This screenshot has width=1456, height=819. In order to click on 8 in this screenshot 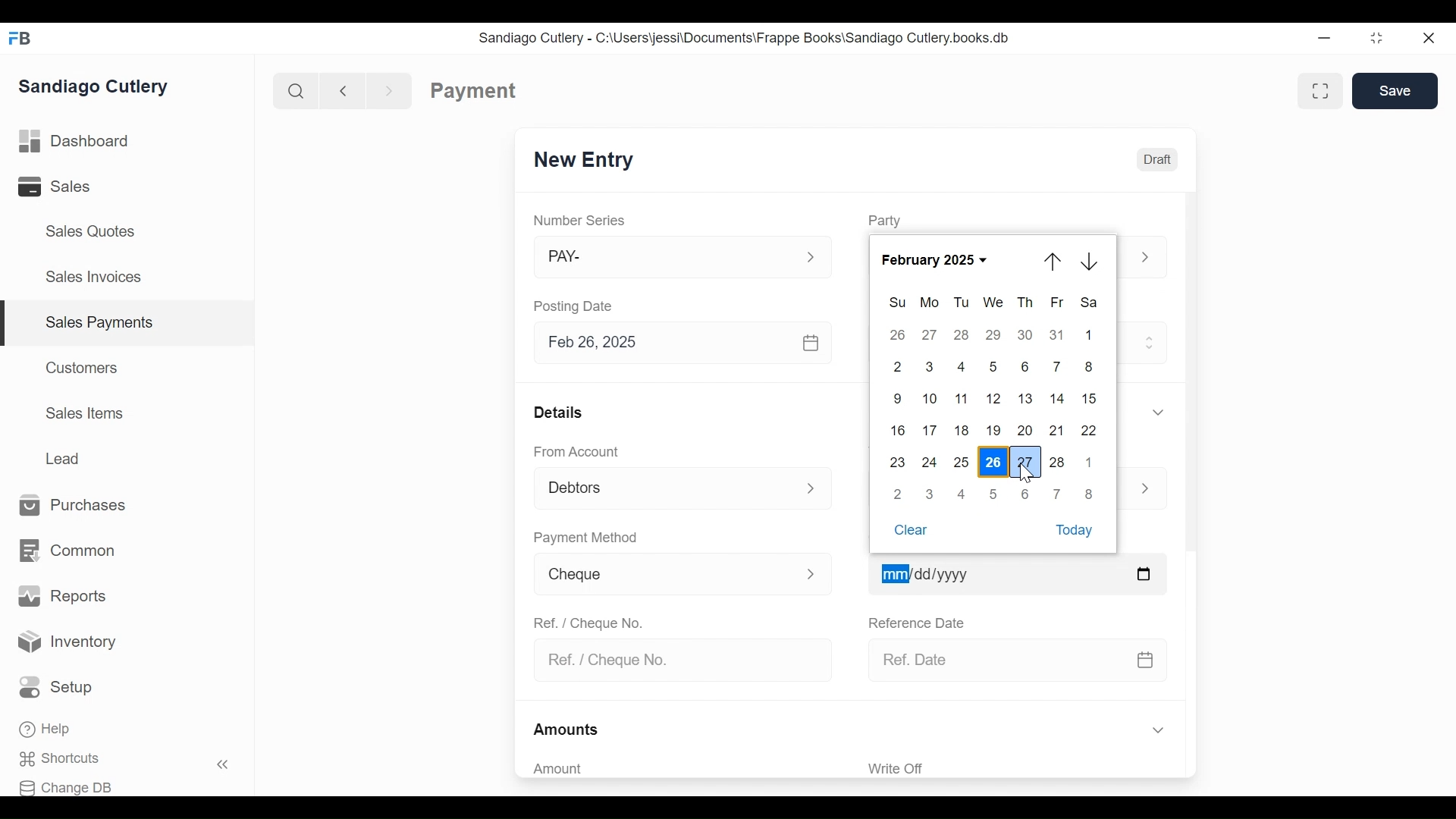, I will do `click(1089, 366)`.